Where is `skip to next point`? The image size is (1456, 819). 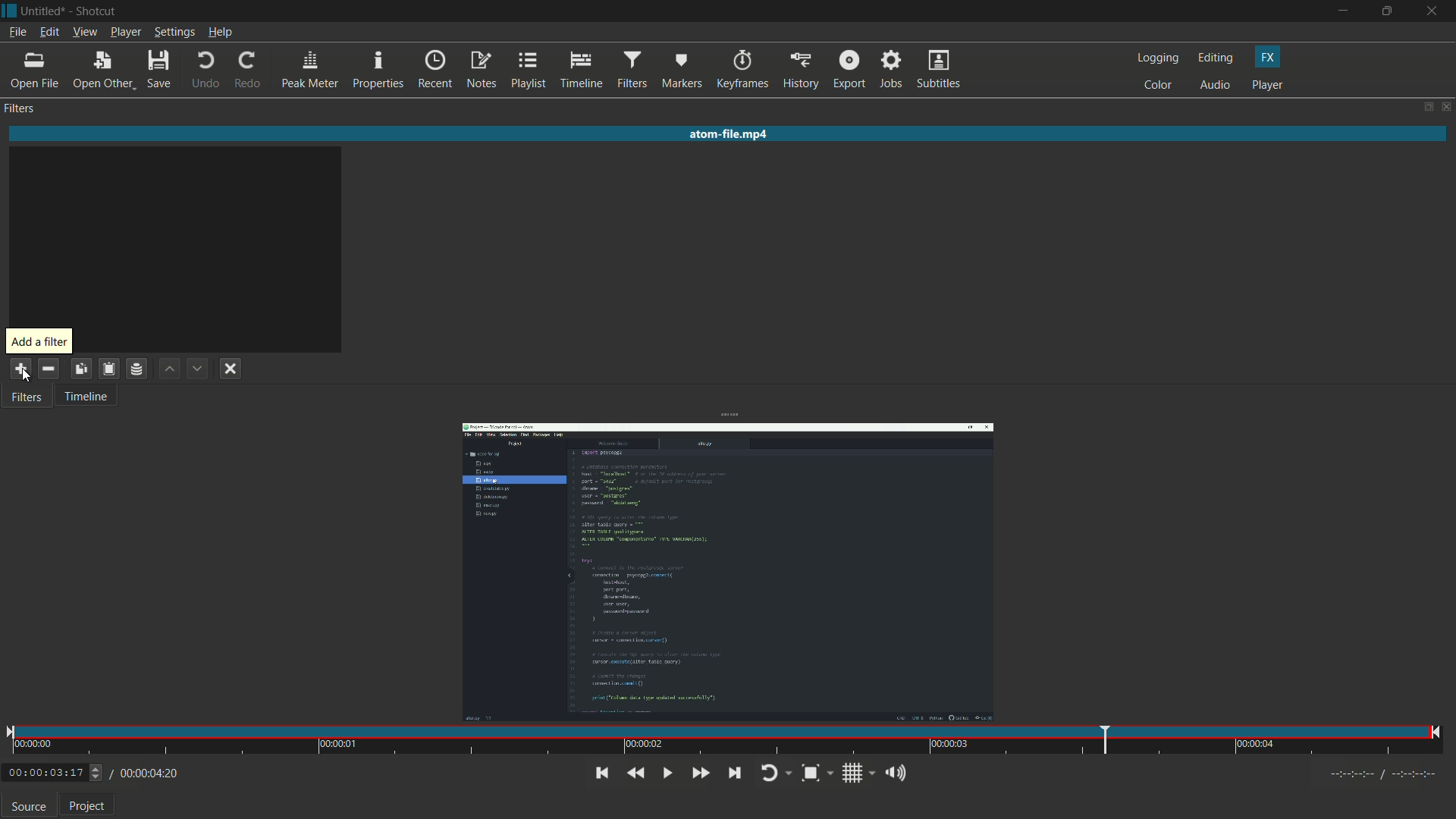 skip to next point is located at coordinates (734, 773).